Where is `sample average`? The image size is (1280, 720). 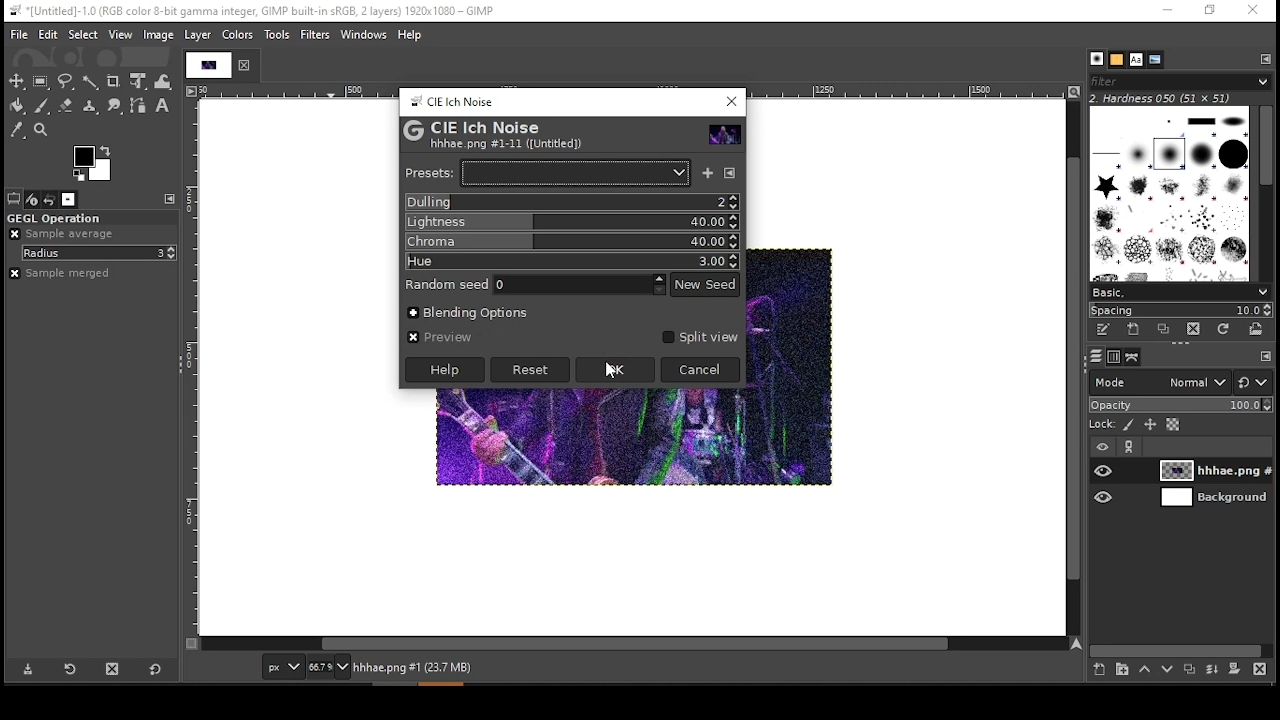
sample average is located at coordinates (64, 234).